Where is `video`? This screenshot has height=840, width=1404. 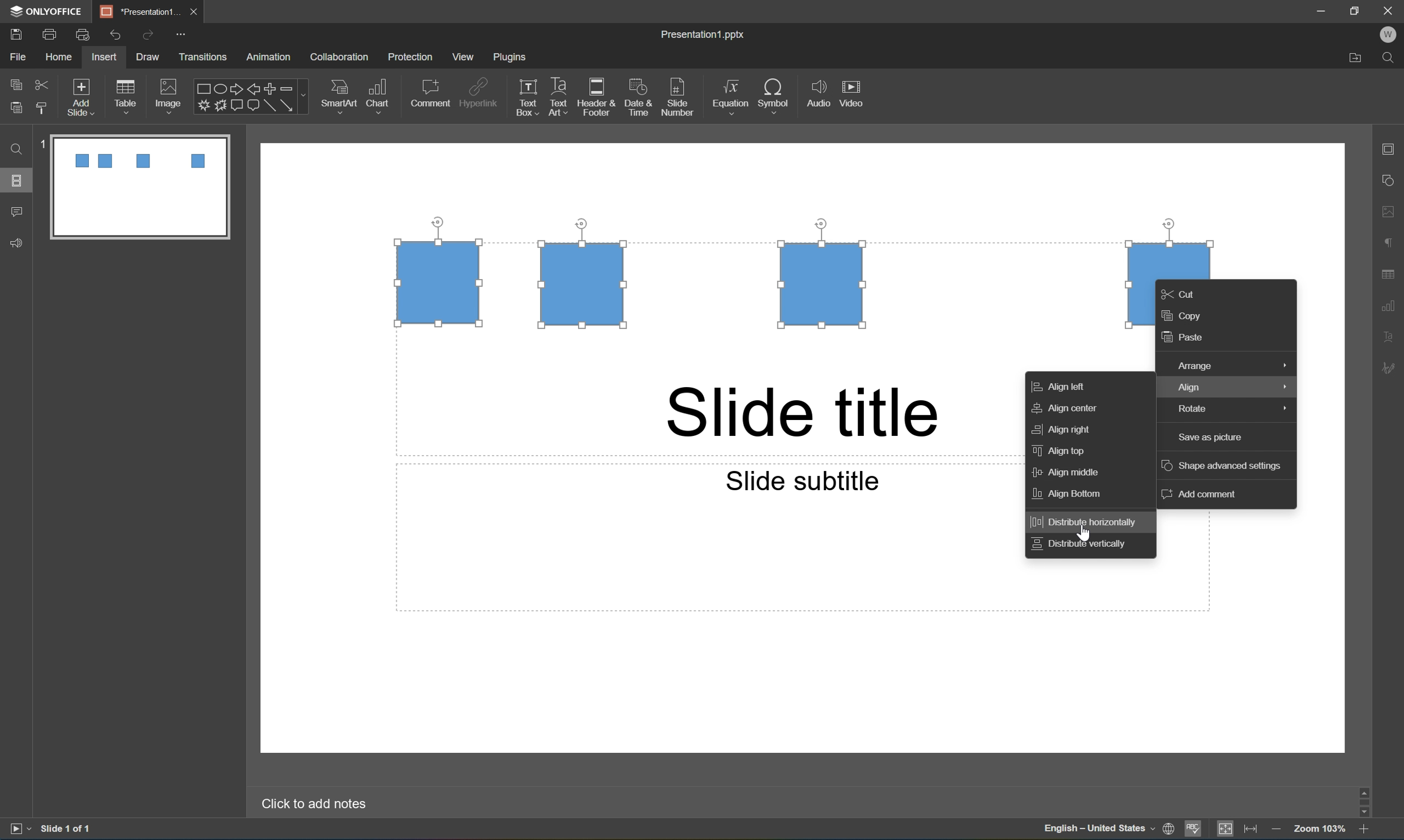 video is located at coordinates (855, 93).